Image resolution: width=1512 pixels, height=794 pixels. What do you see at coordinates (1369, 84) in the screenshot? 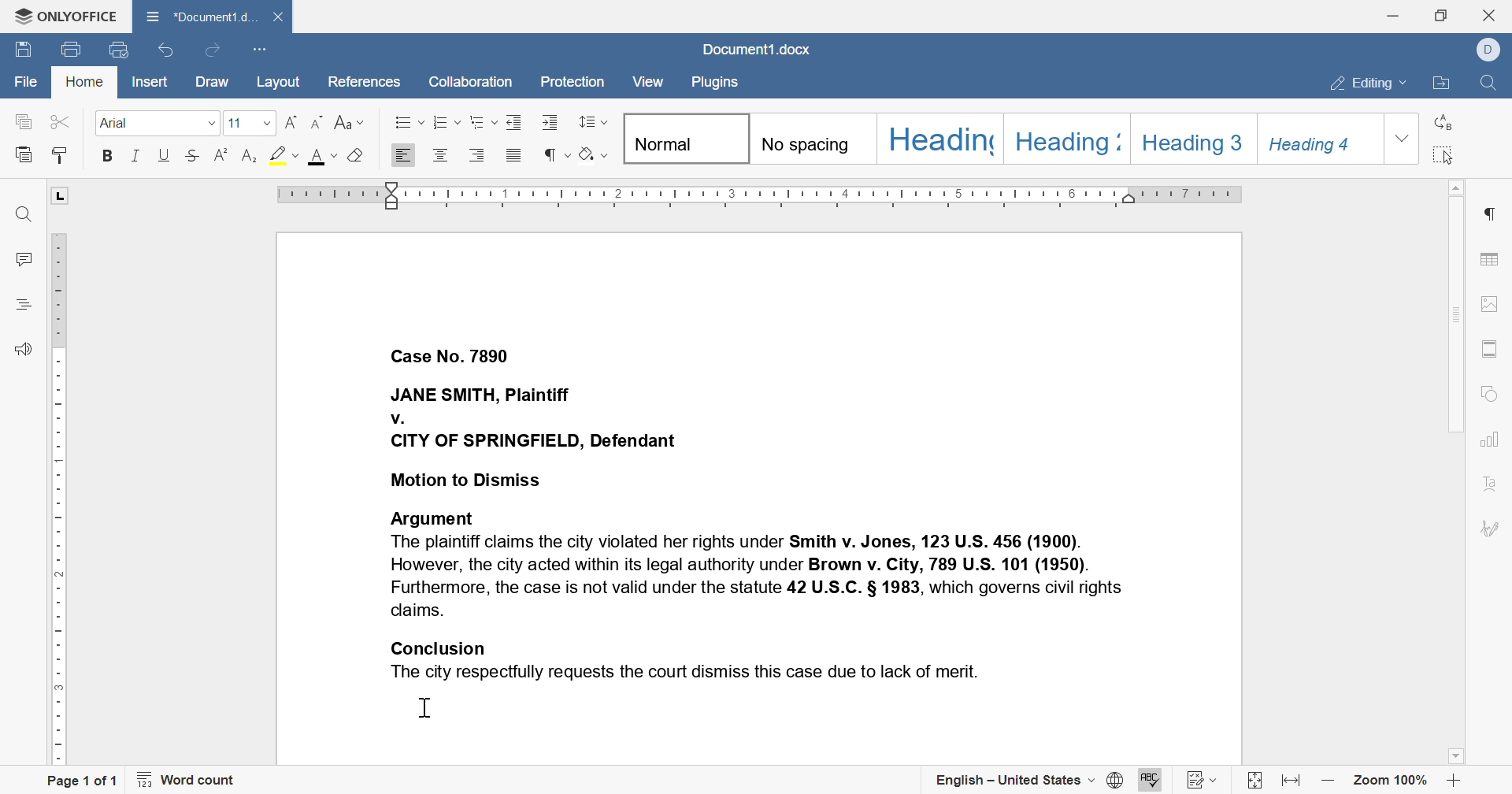
I see `editing` at bounding box center [1369, 84].